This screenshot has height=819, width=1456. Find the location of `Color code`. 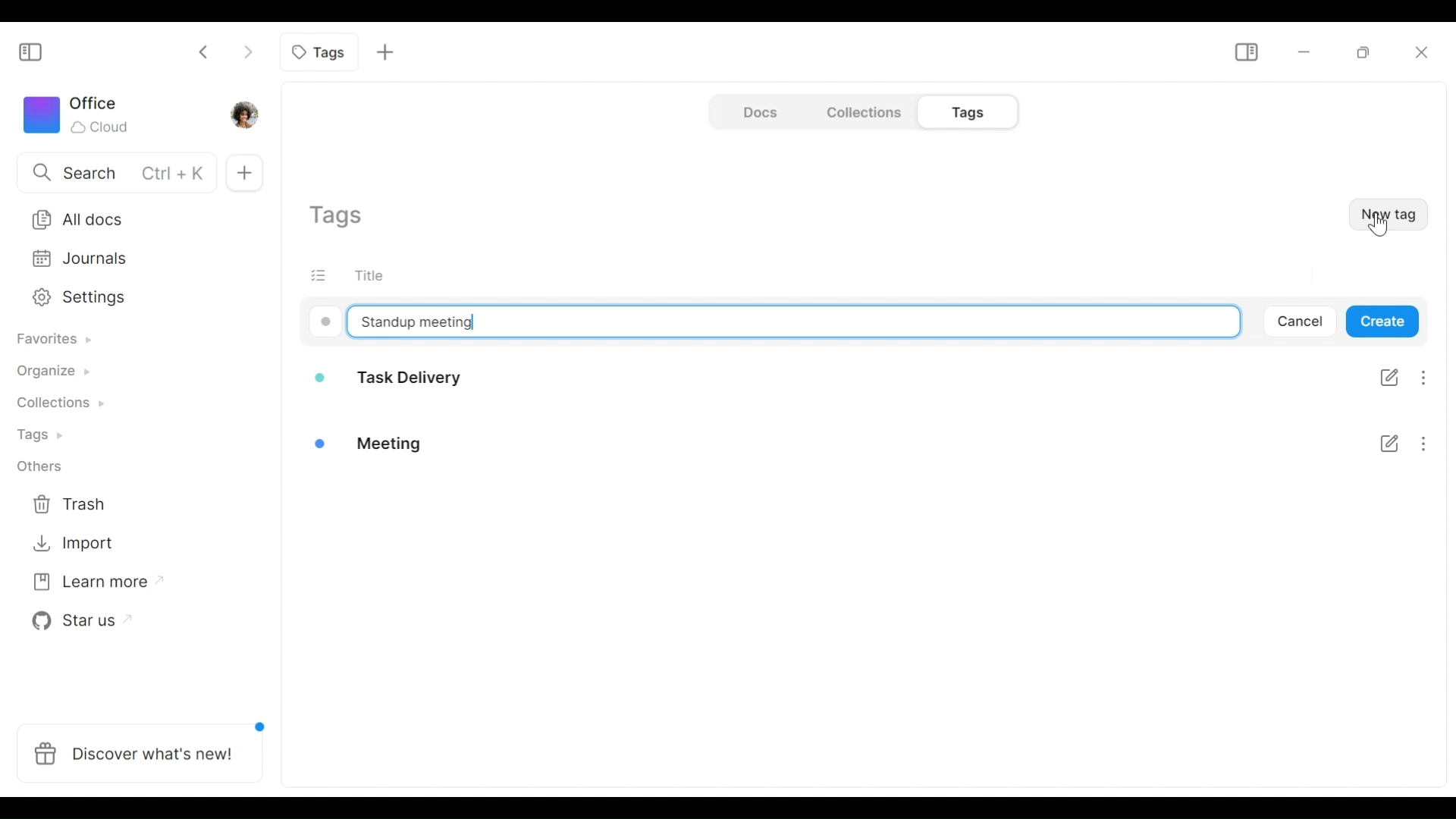

Color code is located at coordinates (325, 321).